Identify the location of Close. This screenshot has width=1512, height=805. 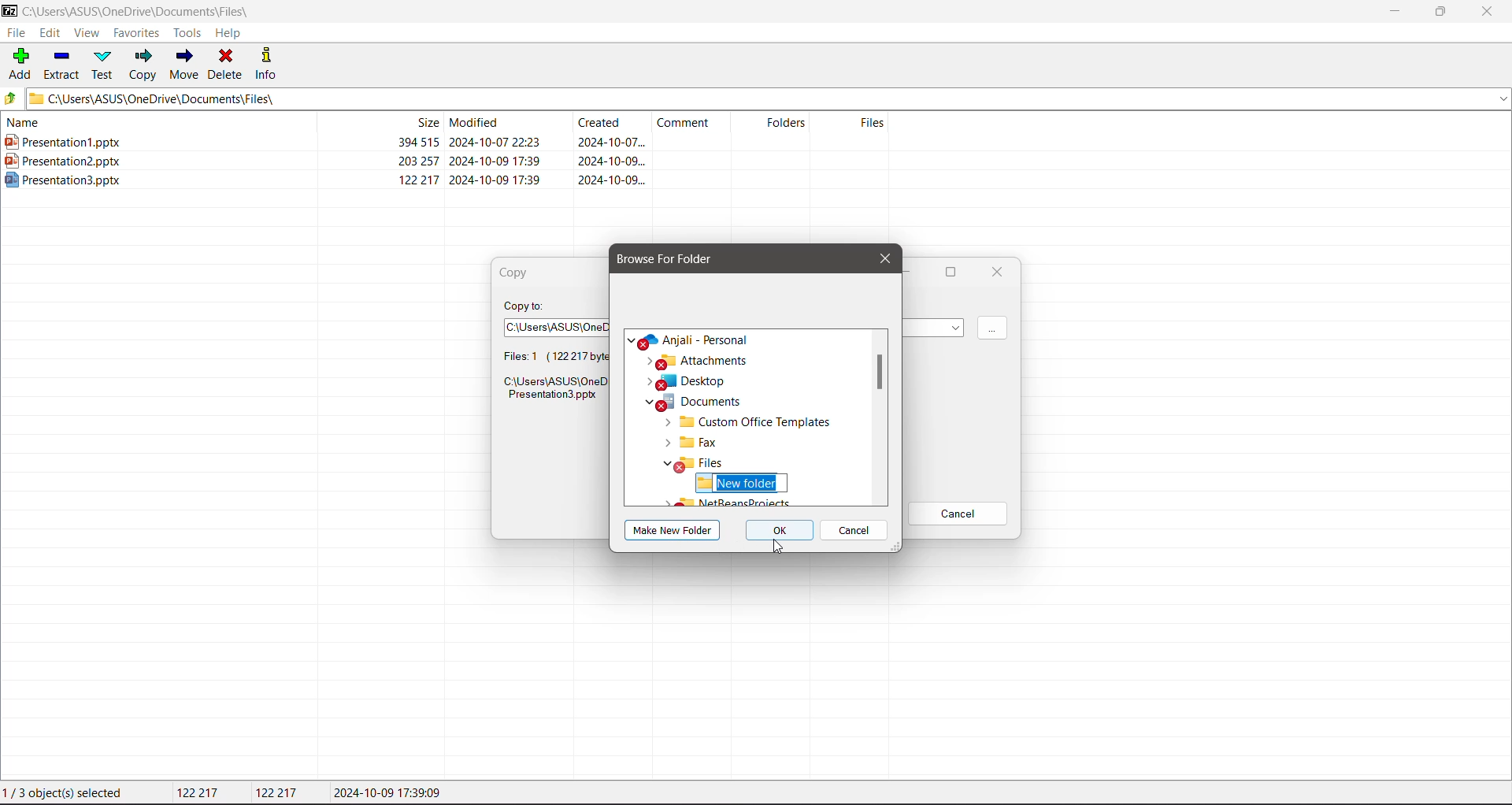
(1492, 12).